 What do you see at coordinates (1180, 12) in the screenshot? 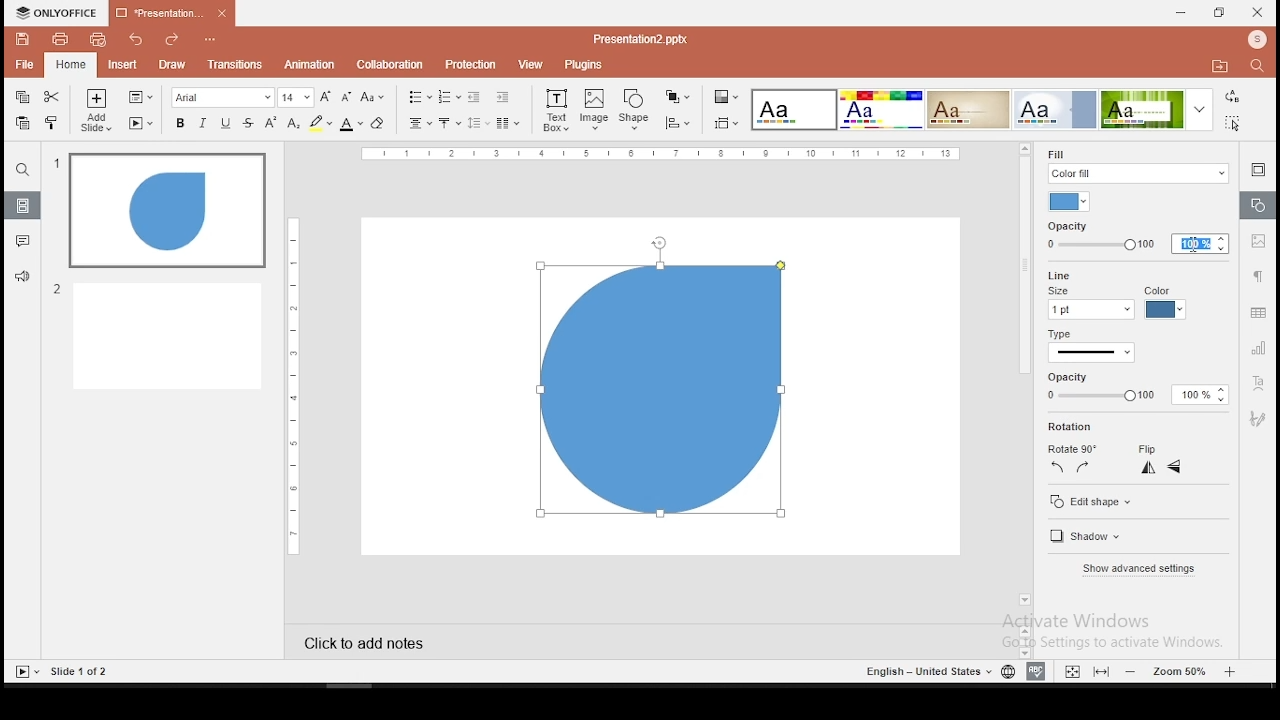
I see `minimize` at bounding box center [1180, 12].